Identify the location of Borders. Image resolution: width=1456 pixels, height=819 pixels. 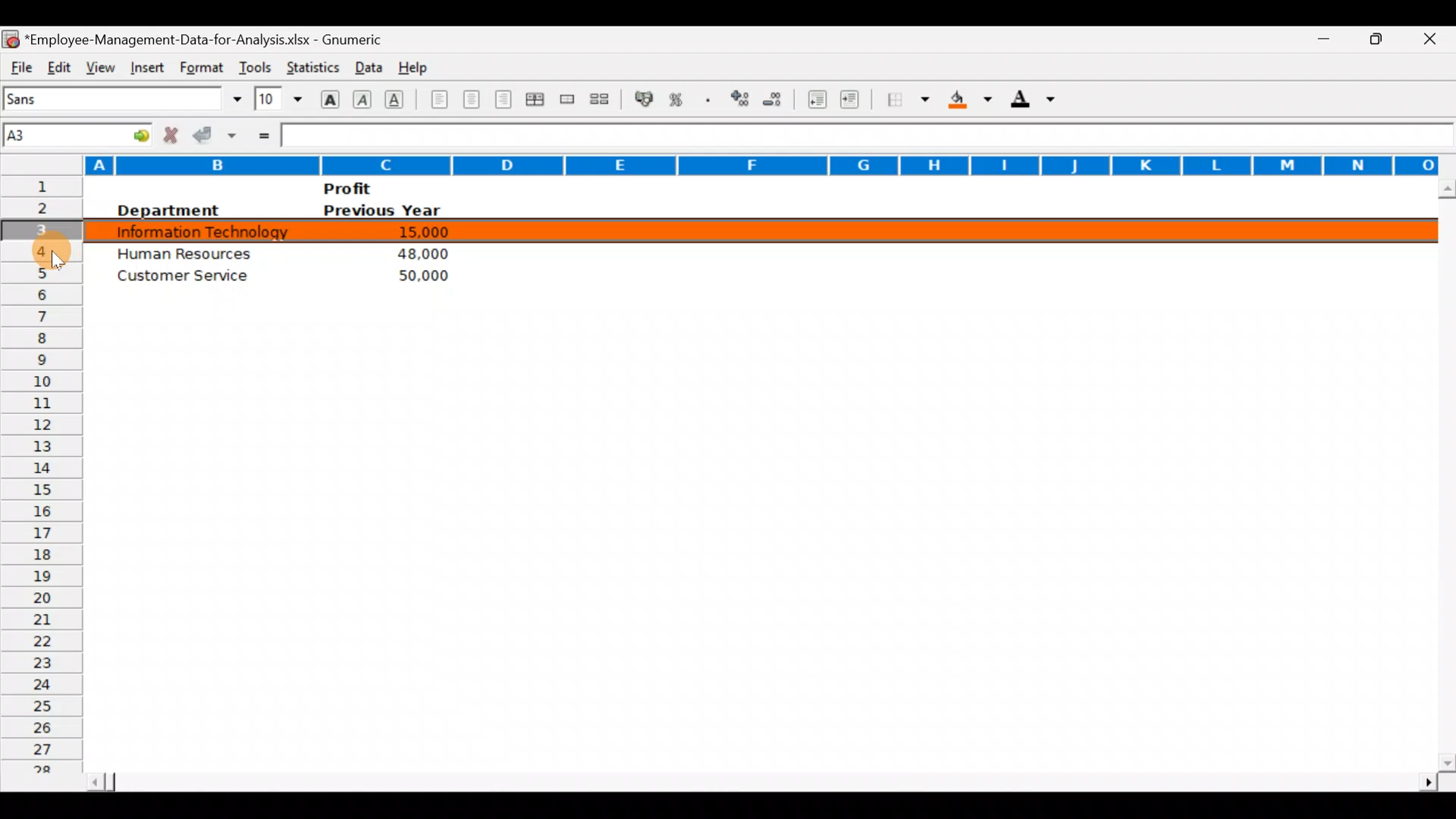
(908, 99).